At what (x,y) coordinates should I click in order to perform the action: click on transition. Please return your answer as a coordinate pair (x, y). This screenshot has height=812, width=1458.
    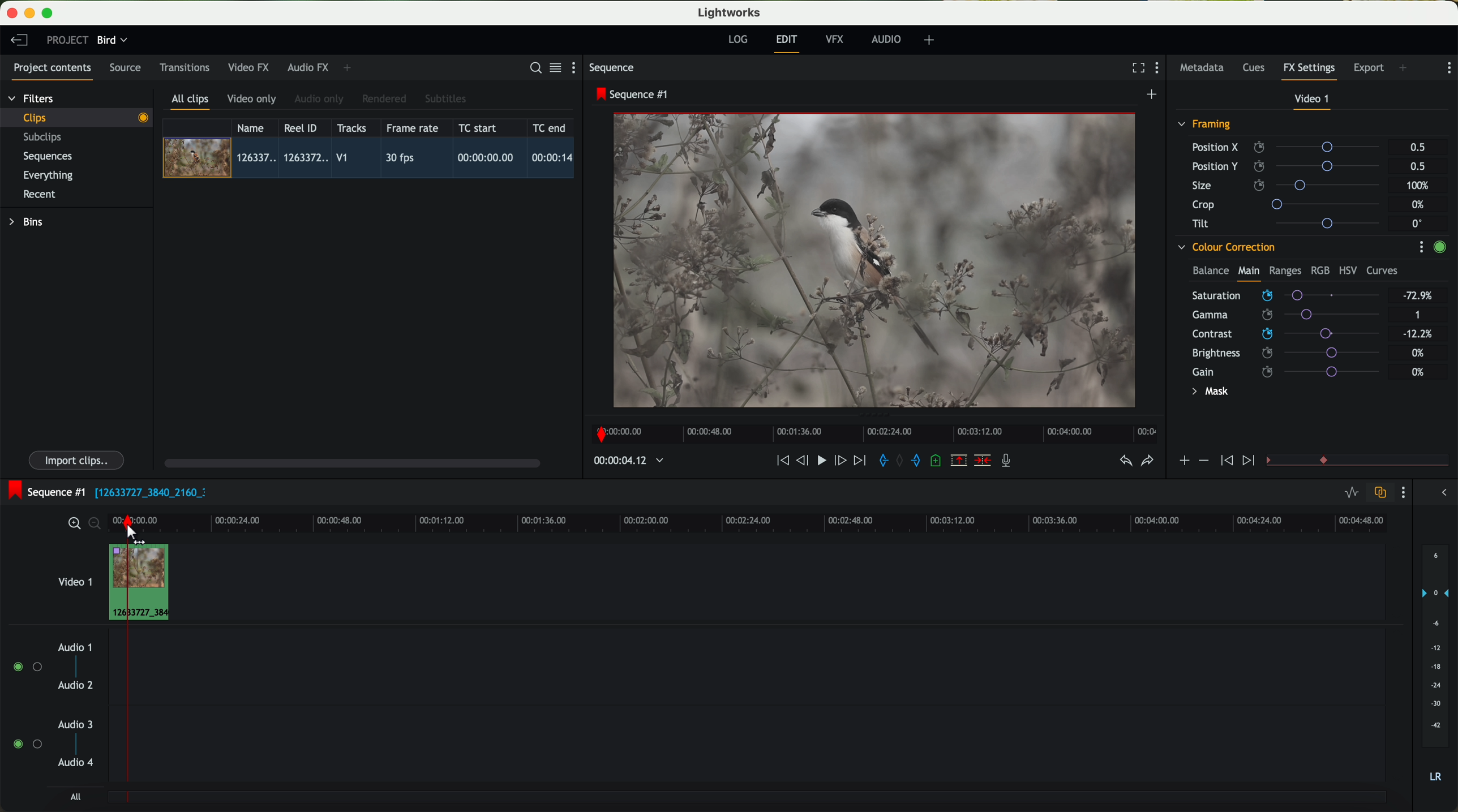
    Looking at the image, I should click on (1374, 461).